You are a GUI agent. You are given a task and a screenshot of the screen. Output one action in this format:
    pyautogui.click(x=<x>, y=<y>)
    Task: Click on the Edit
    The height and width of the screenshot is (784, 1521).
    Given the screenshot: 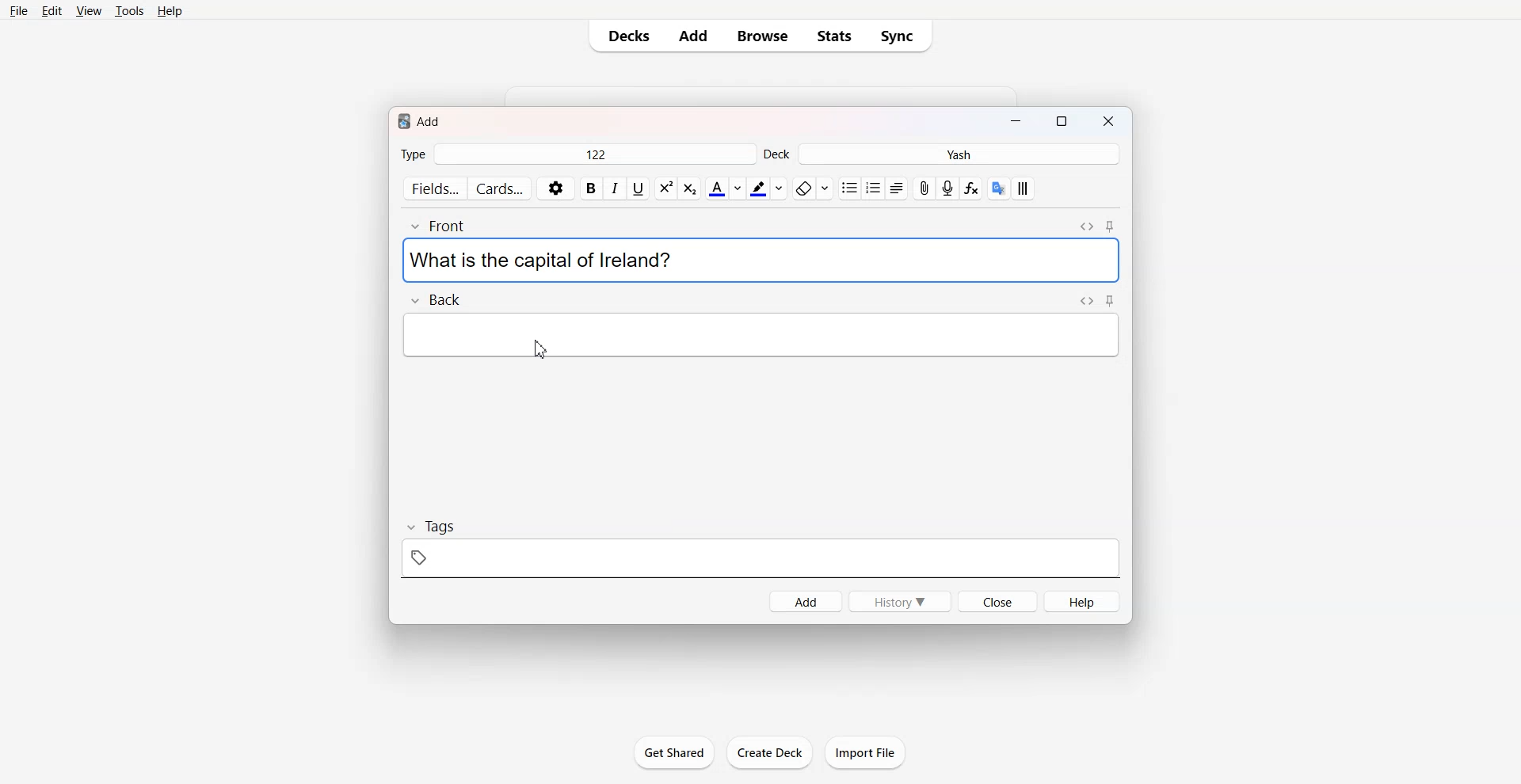 What is the action you would take?
    pyautogui.click(x=51, y=12)
    